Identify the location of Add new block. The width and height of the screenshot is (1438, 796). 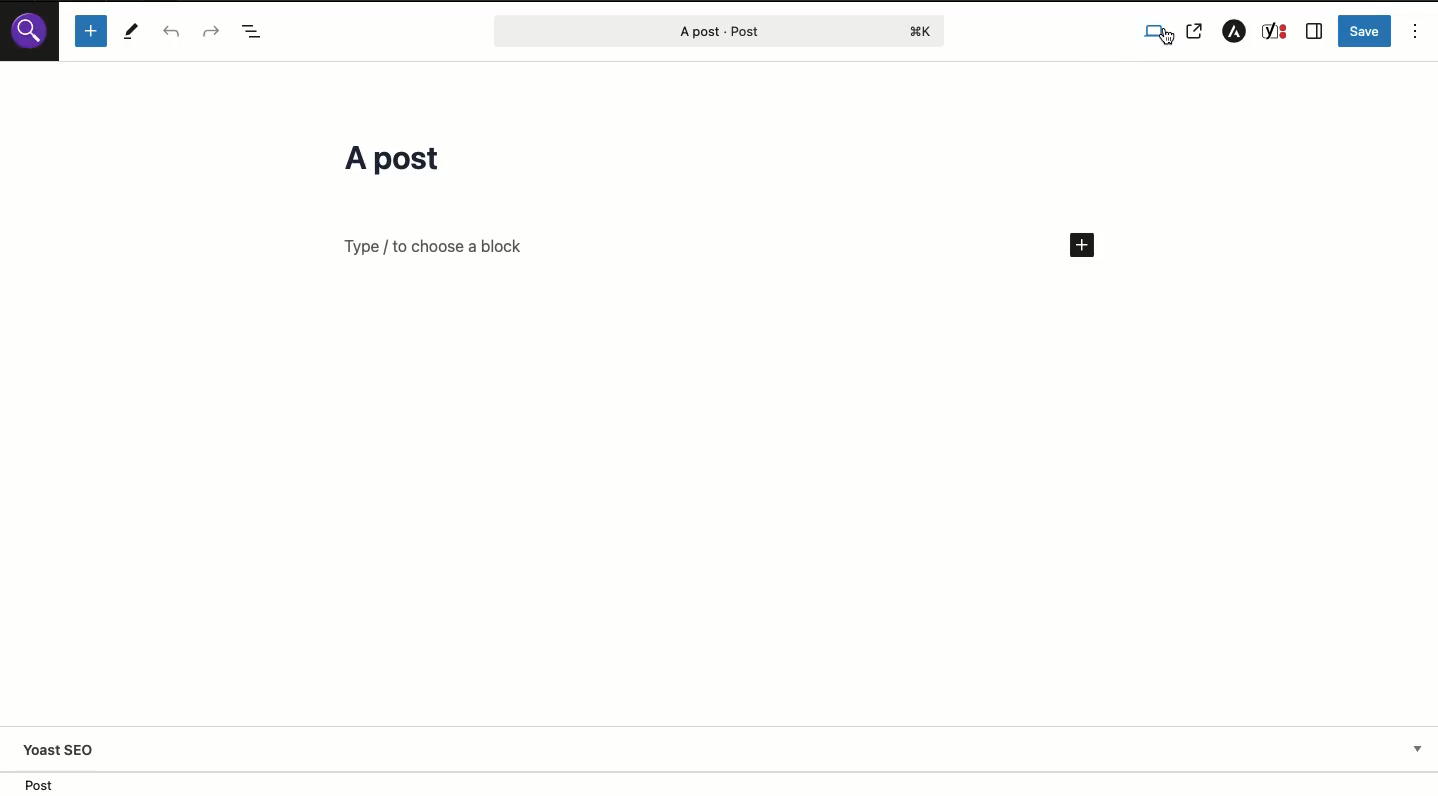
(93, 32).